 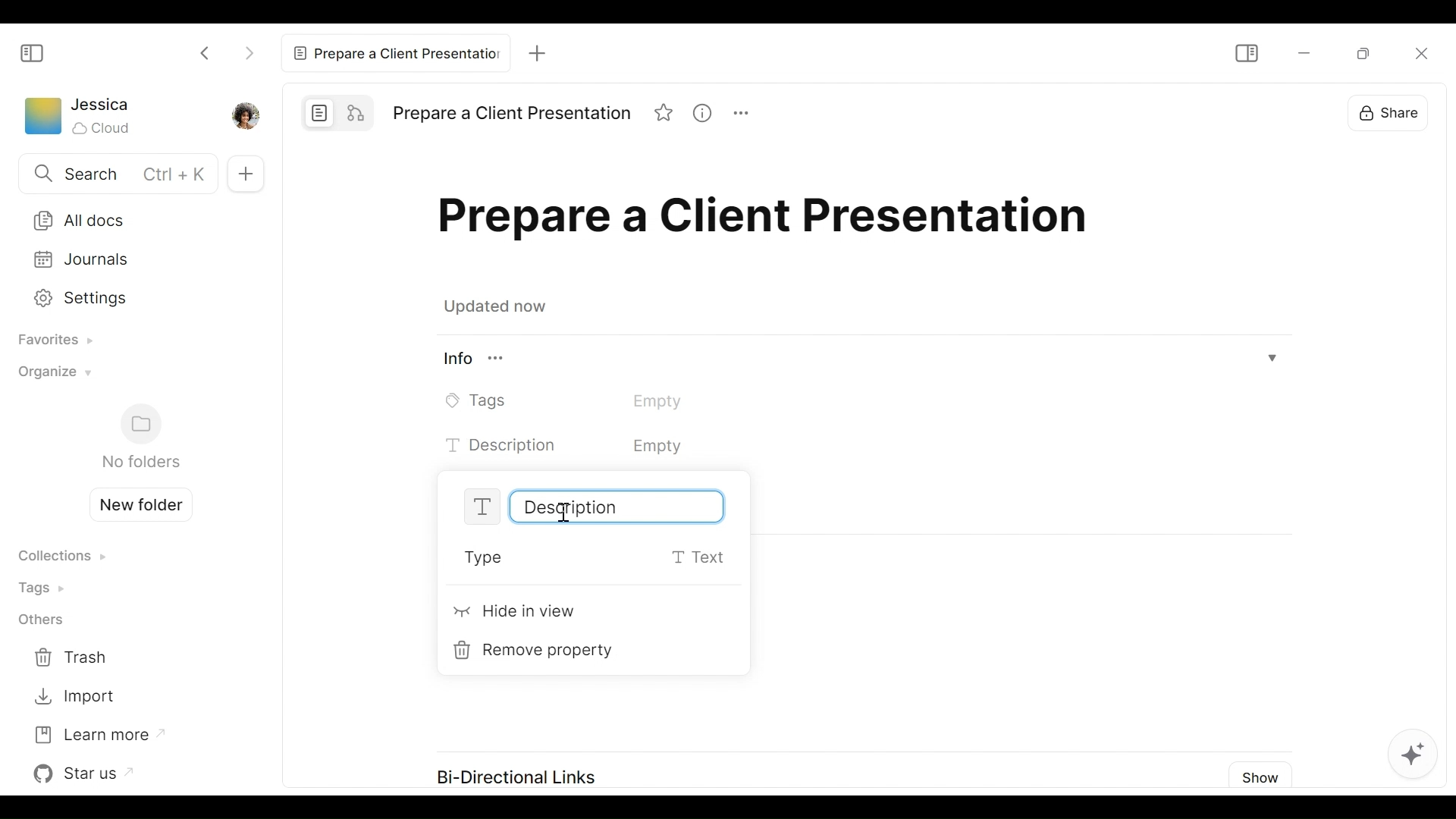 What do you see at coordinates (538, 651) in the screenshot?
I see `Remove property` at bounding box center [538, 651].